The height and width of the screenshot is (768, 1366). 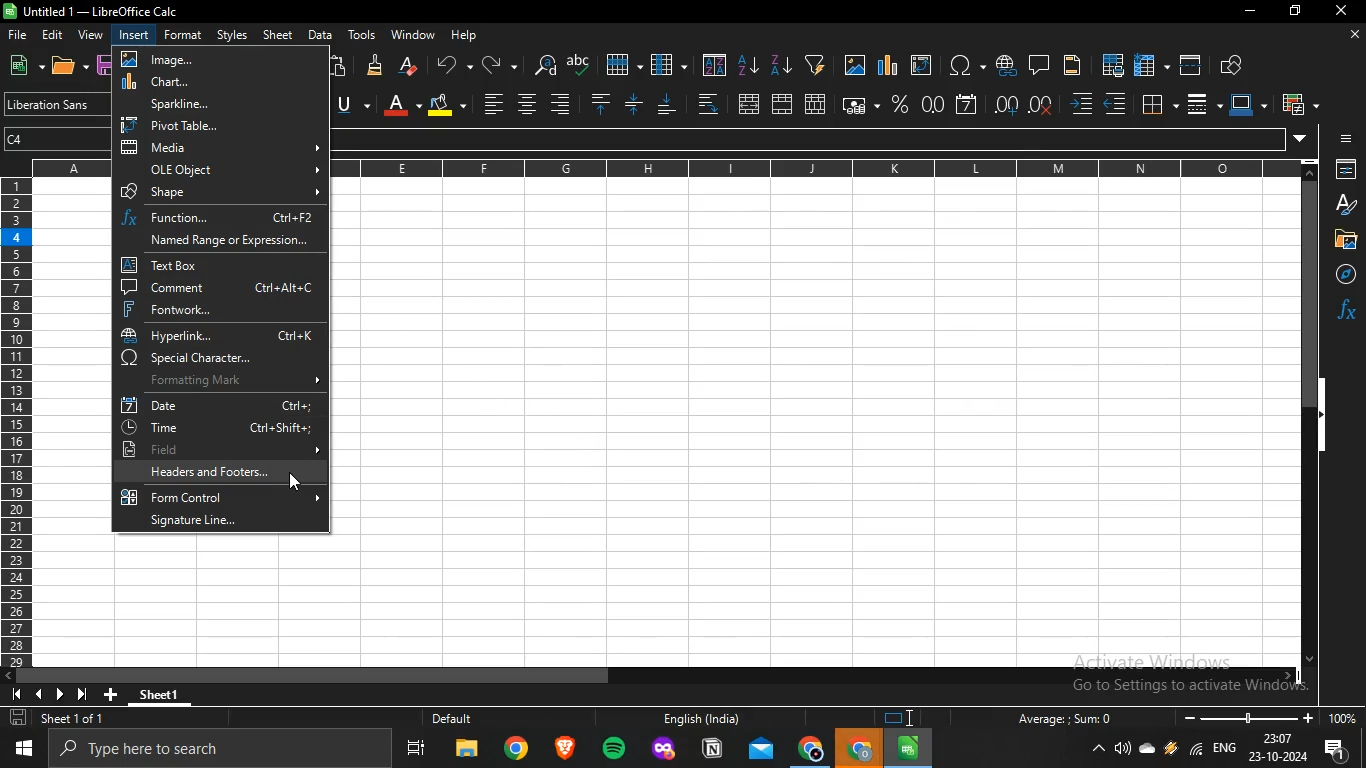 I want to click on spotify, so click(x=614, y=750).